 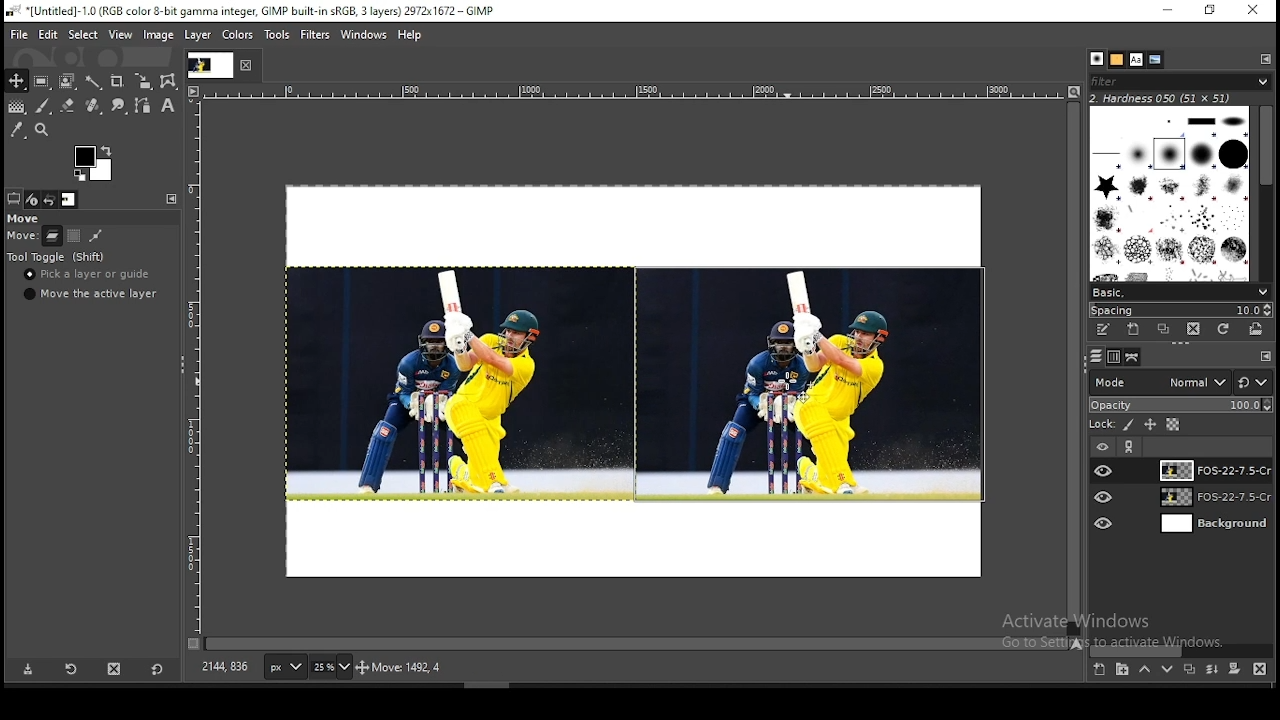 I want to click on brush presets, so click(x=1180, y=291).